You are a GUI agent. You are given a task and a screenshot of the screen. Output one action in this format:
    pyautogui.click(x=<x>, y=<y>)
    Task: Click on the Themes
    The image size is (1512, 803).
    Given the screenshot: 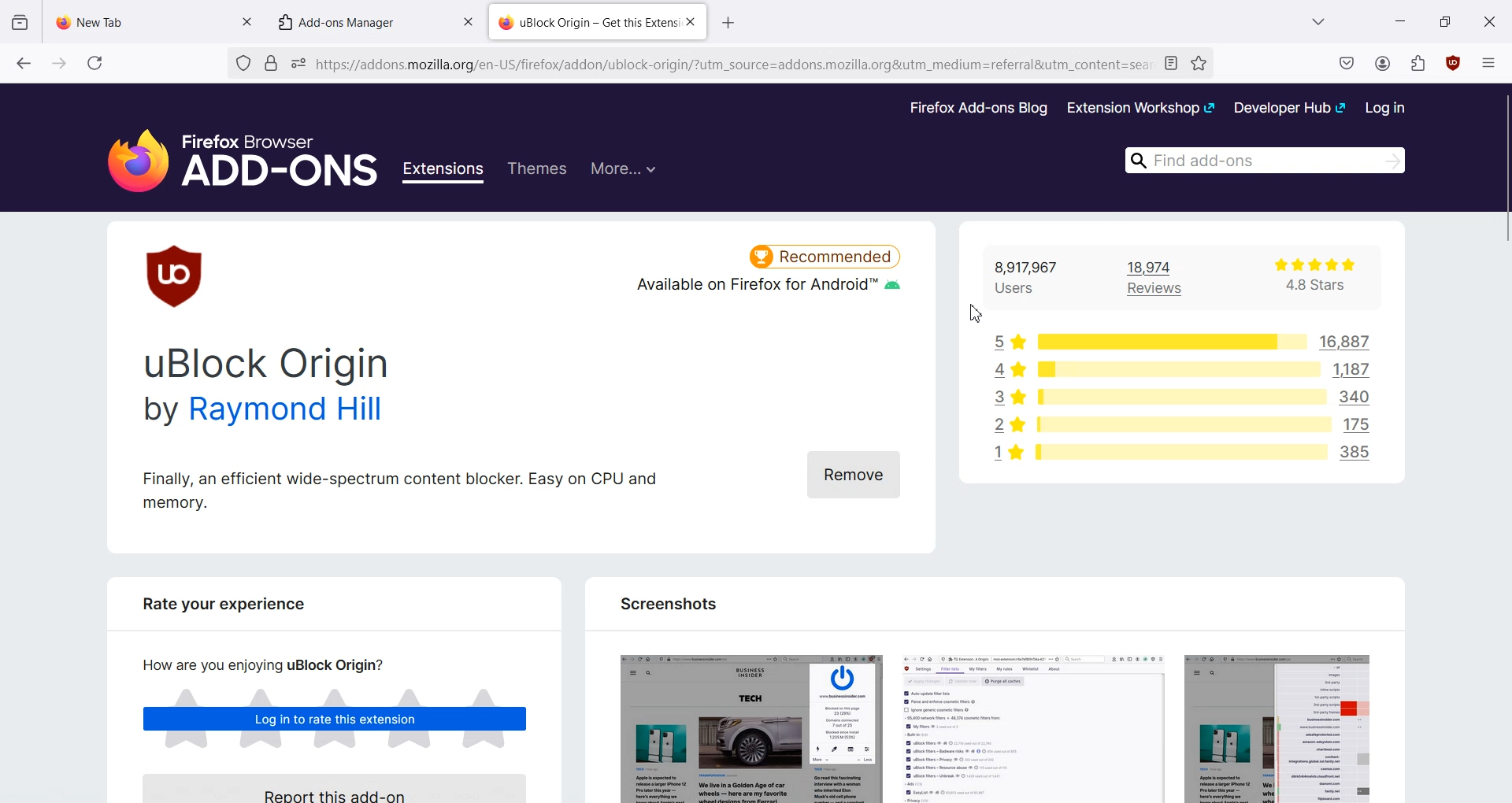 What is the action you would take?
    pyautogui.click(x=536, y=169)
    